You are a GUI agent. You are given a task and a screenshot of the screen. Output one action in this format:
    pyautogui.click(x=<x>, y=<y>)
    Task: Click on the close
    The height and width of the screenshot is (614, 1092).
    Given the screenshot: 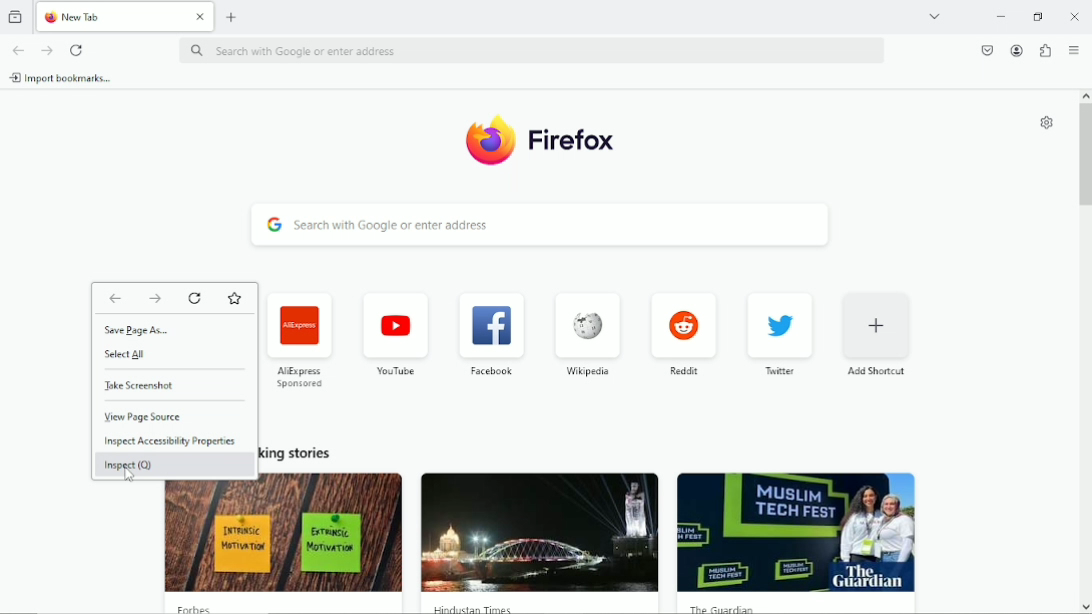 What is the action you would take?
    pyautogui.click(x=1072, y=16)
    